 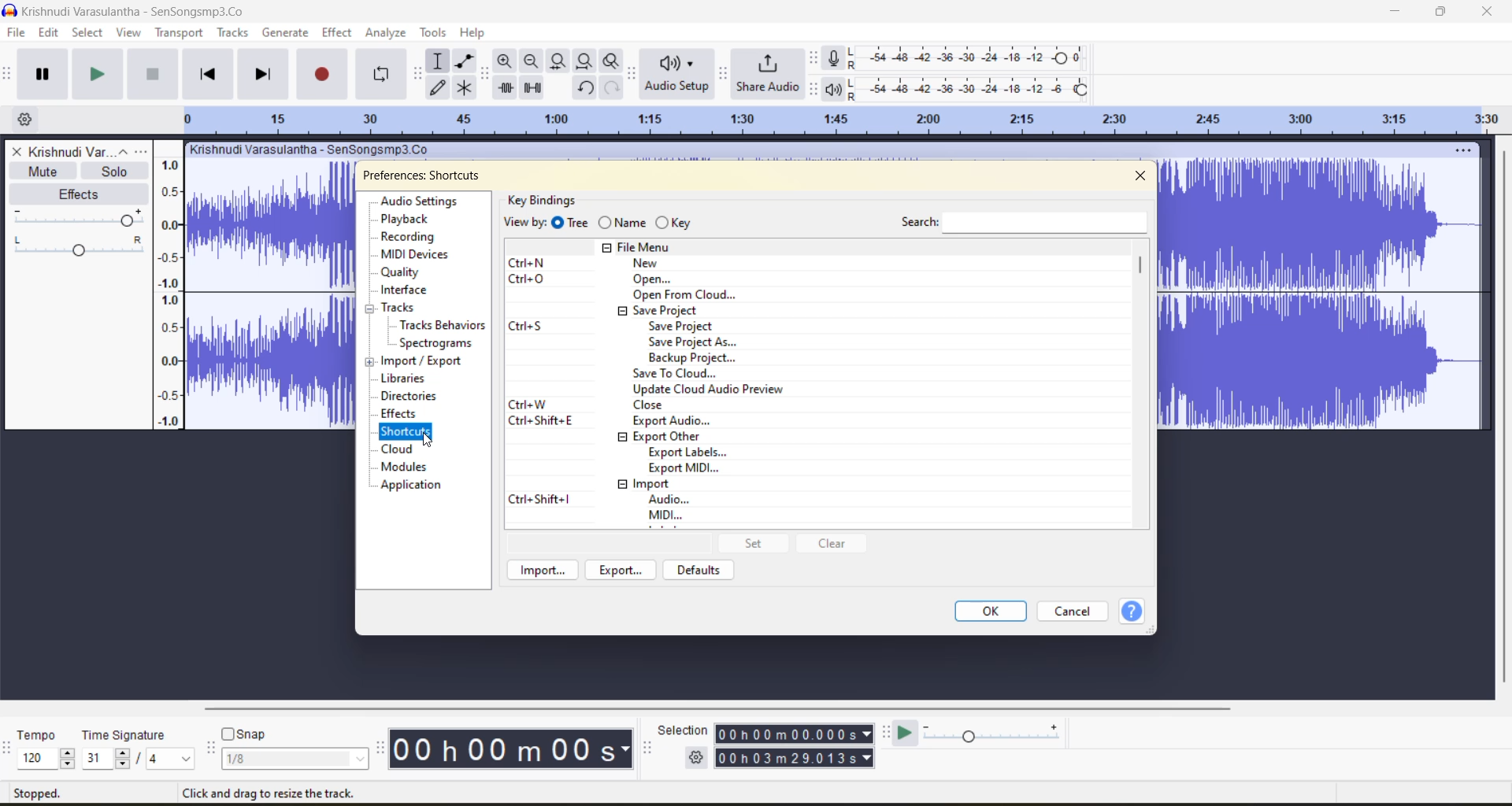 I want to click on maximize, so click(x=1444, y=12).